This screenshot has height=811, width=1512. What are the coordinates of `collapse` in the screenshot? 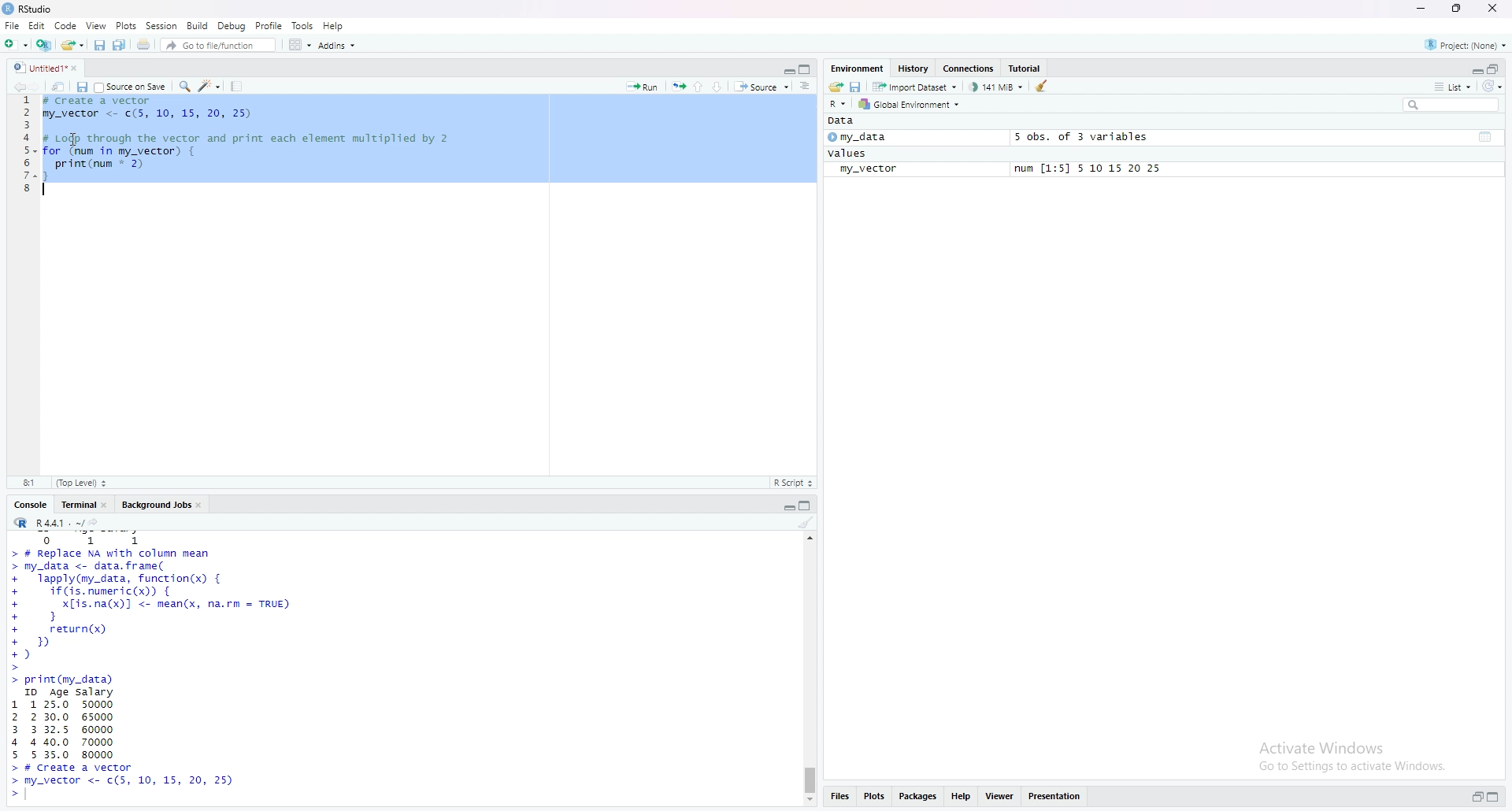 It's located at (810, 505).